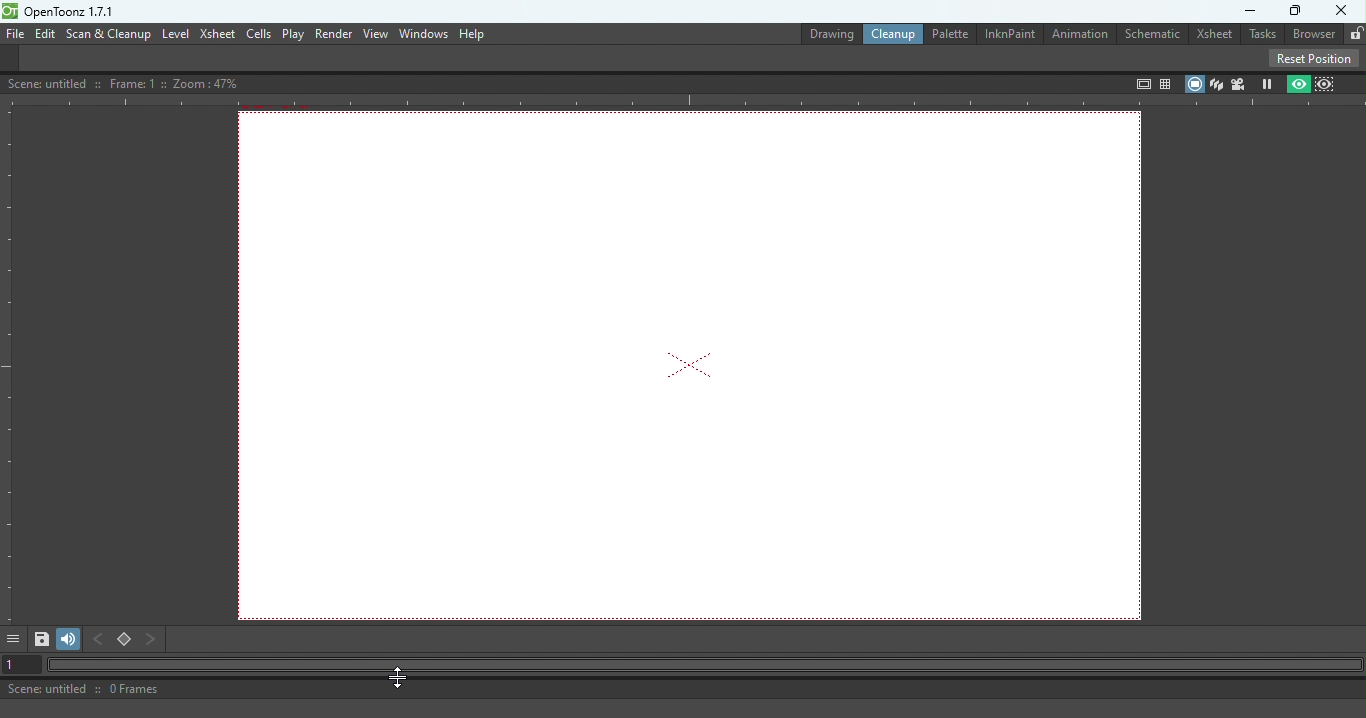 This screenshot has width=1366, height=718. I want to click on Freeze, so click(1267, 83).